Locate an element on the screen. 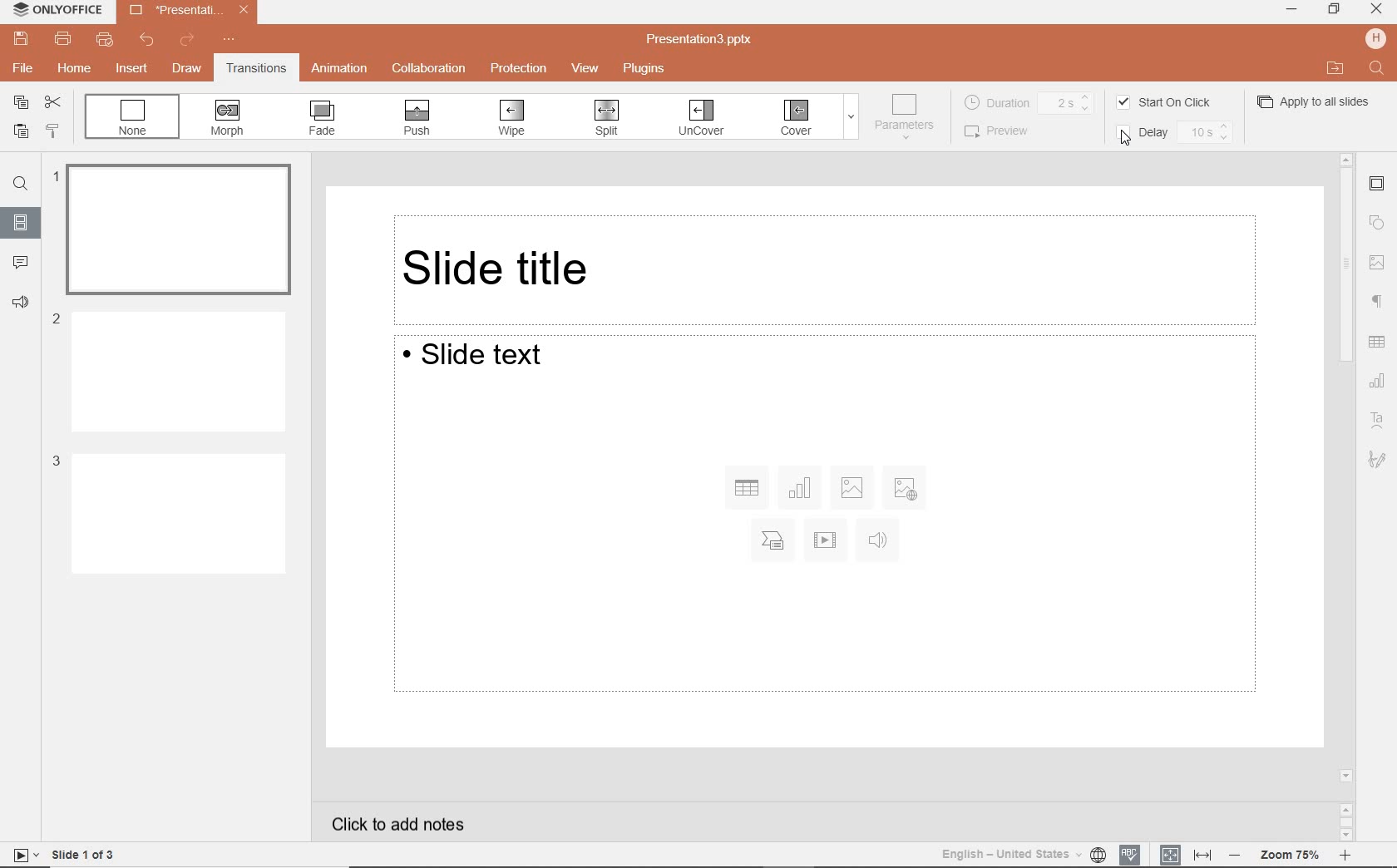  RESTORE is located at coordinates (1335, 10).